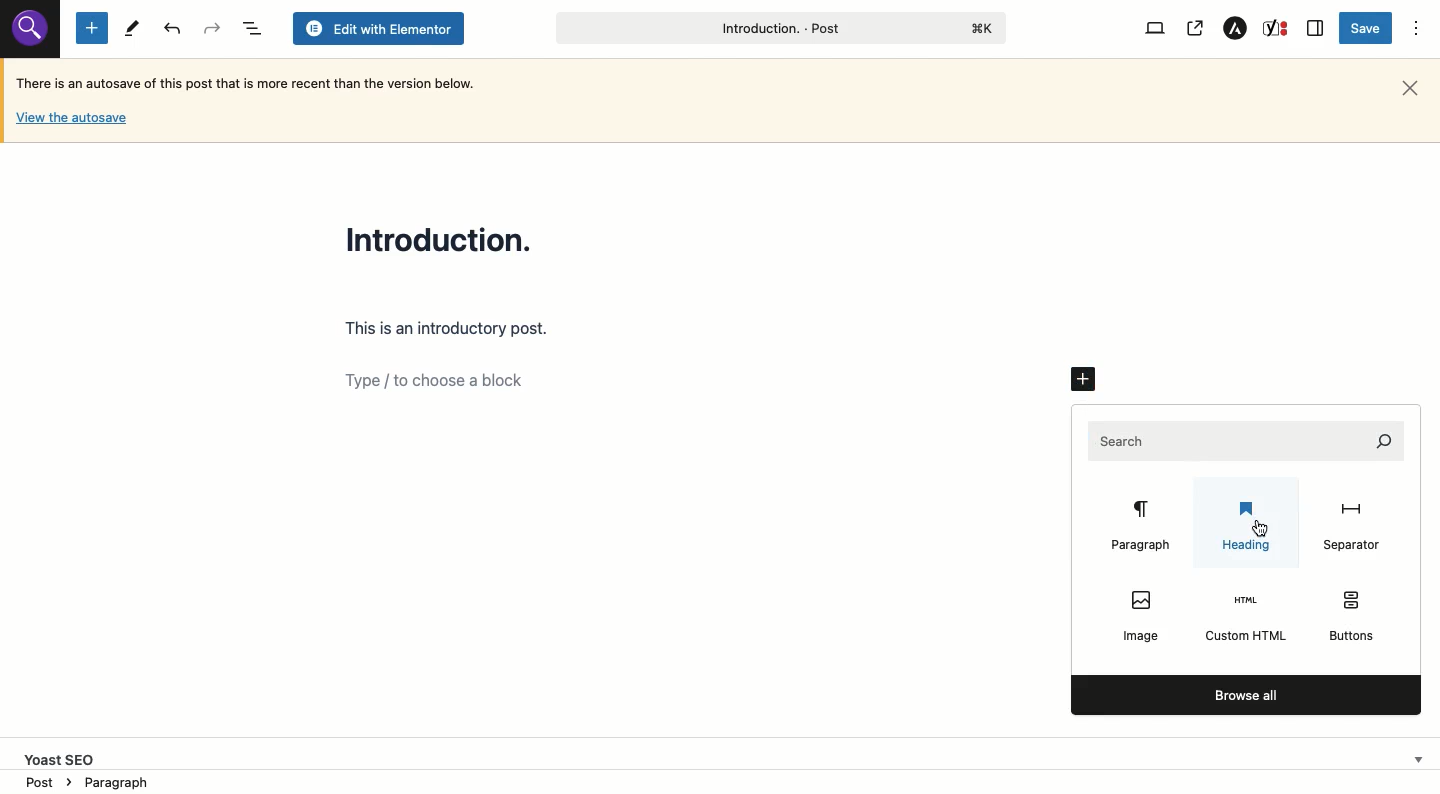  I want to click on Yoast, so click(1277, 29).